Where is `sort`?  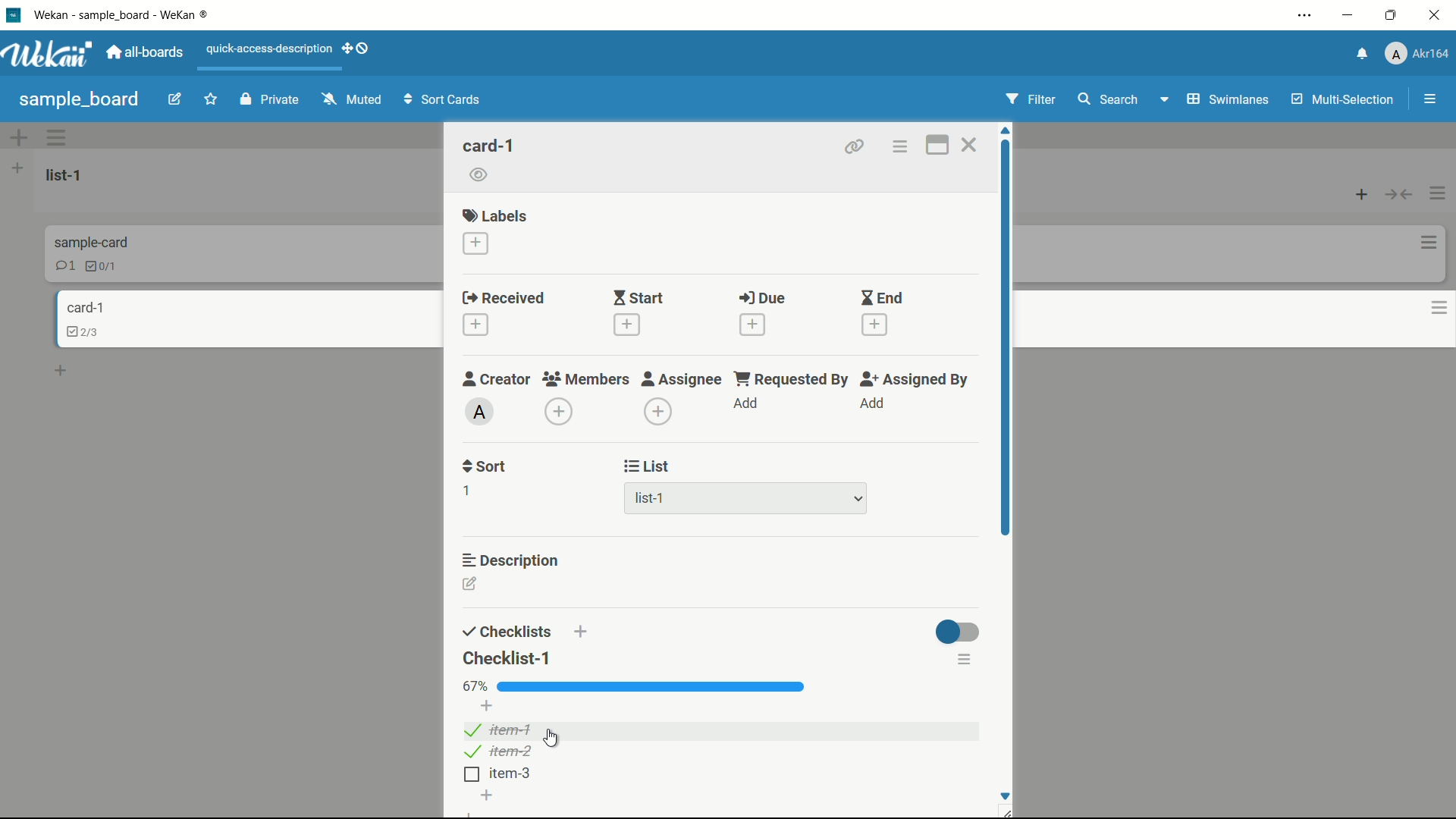
sort is located at coordinates (484, 467).